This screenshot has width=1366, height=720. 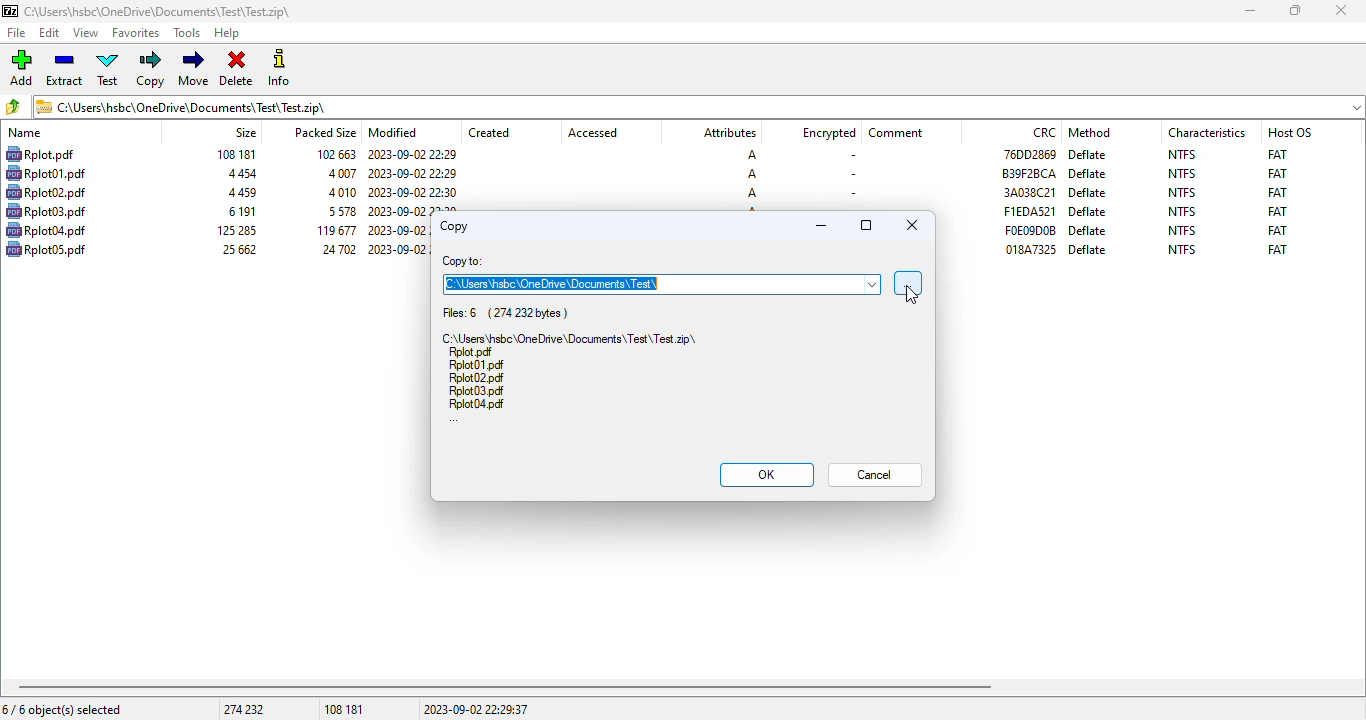 What do you see at coordinates (663, 284) in the screenshot?
I see `C:\Users\hsbc\OneDrive\Documents\Test\` at bounding box center [663, 284].